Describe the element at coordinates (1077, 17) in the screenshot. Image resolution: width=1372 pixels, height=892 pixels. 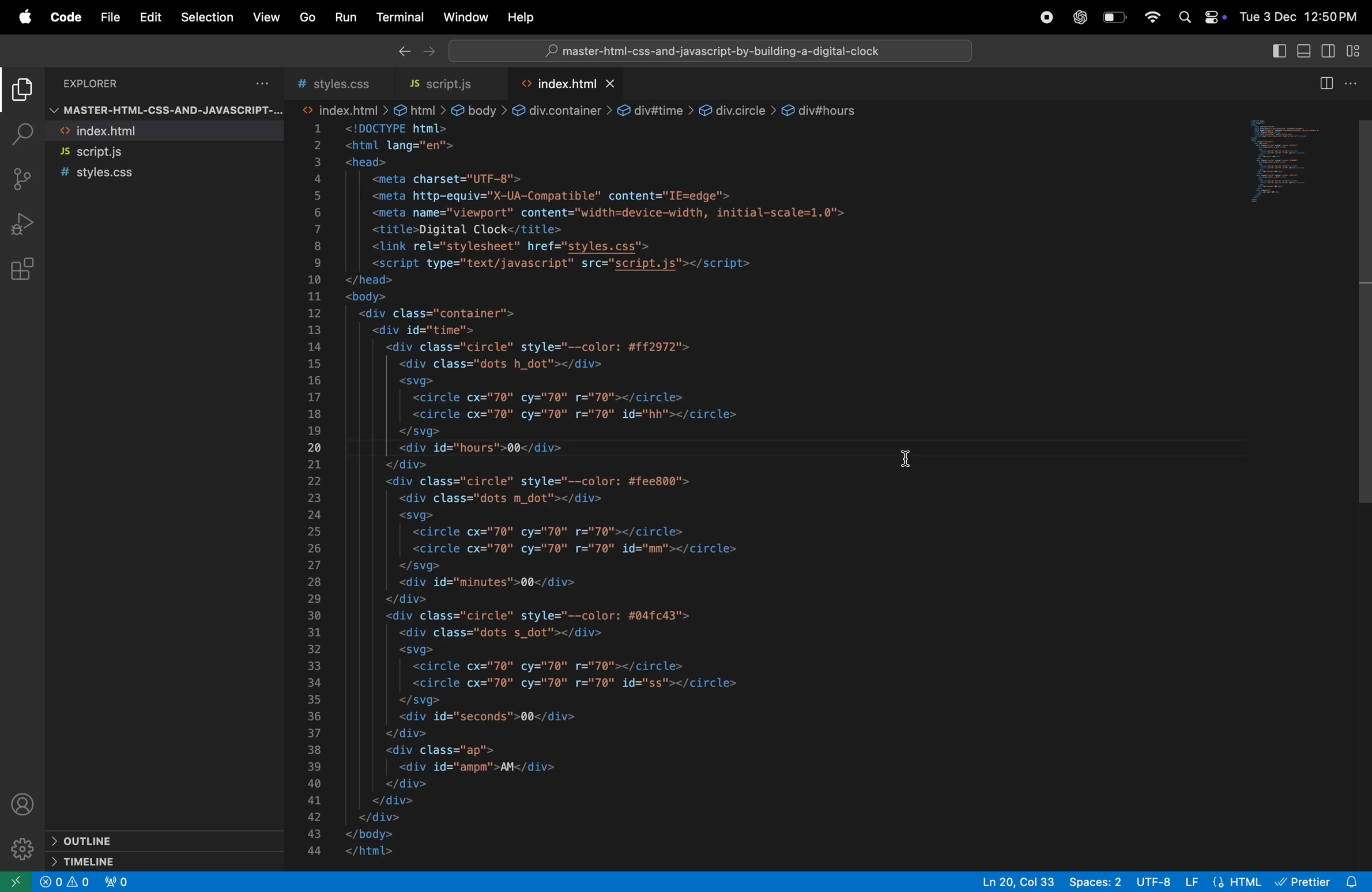
I see `chatgpt` at that location.